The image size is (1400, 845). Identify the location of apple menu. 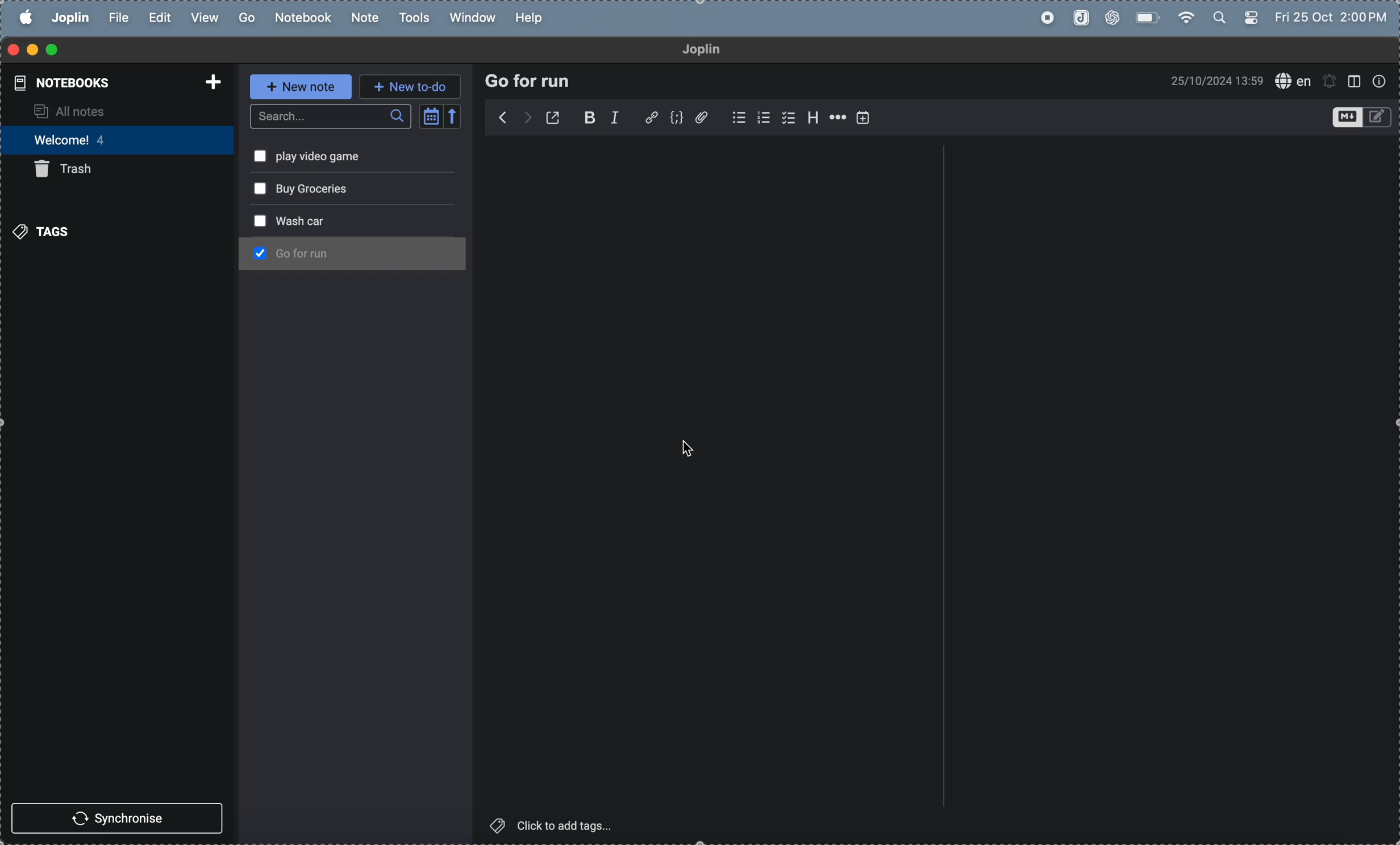
(19, 18).